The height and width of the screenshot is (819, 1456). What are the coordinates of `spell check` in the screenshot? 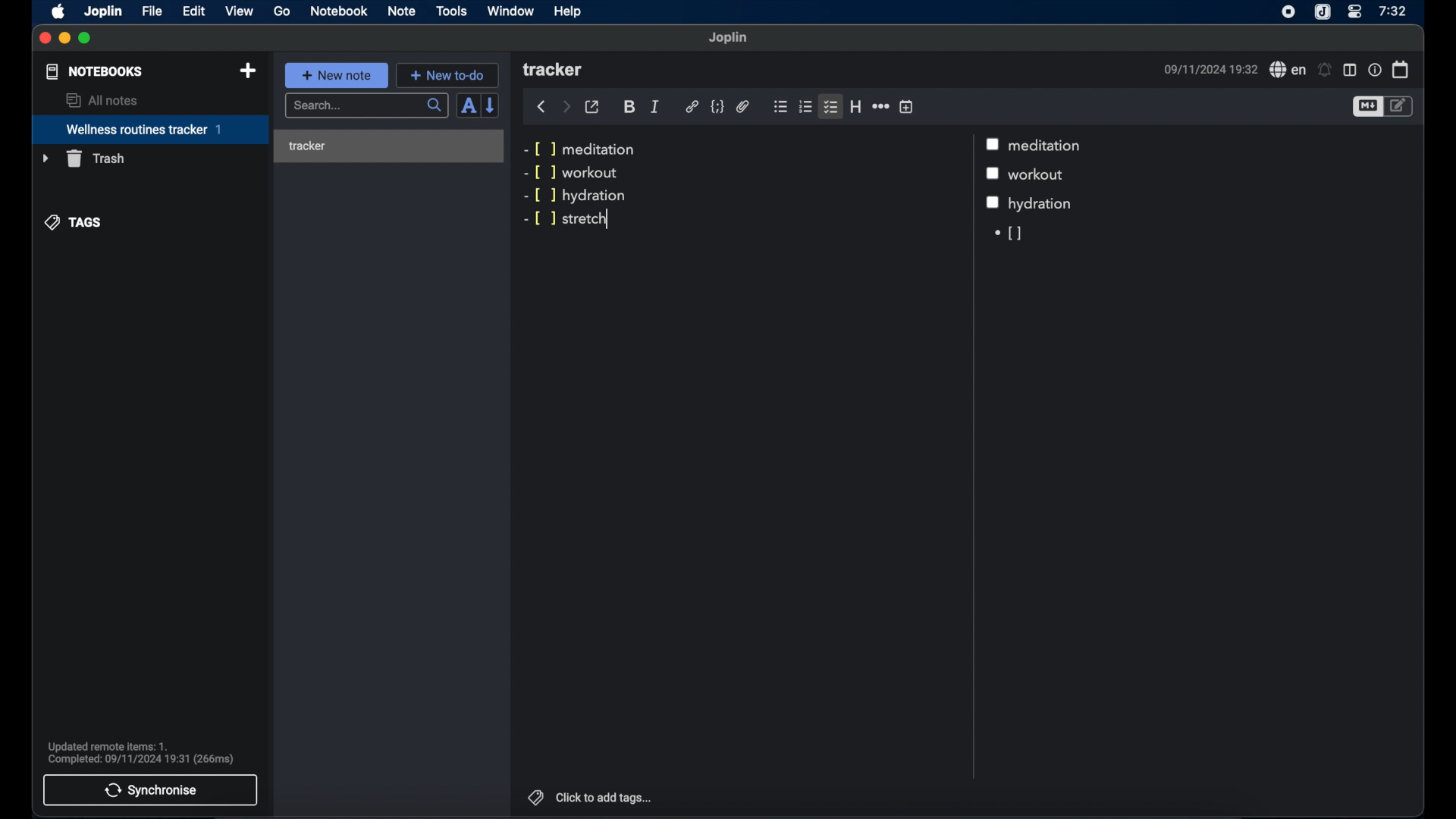 It's located at (1285, 69).